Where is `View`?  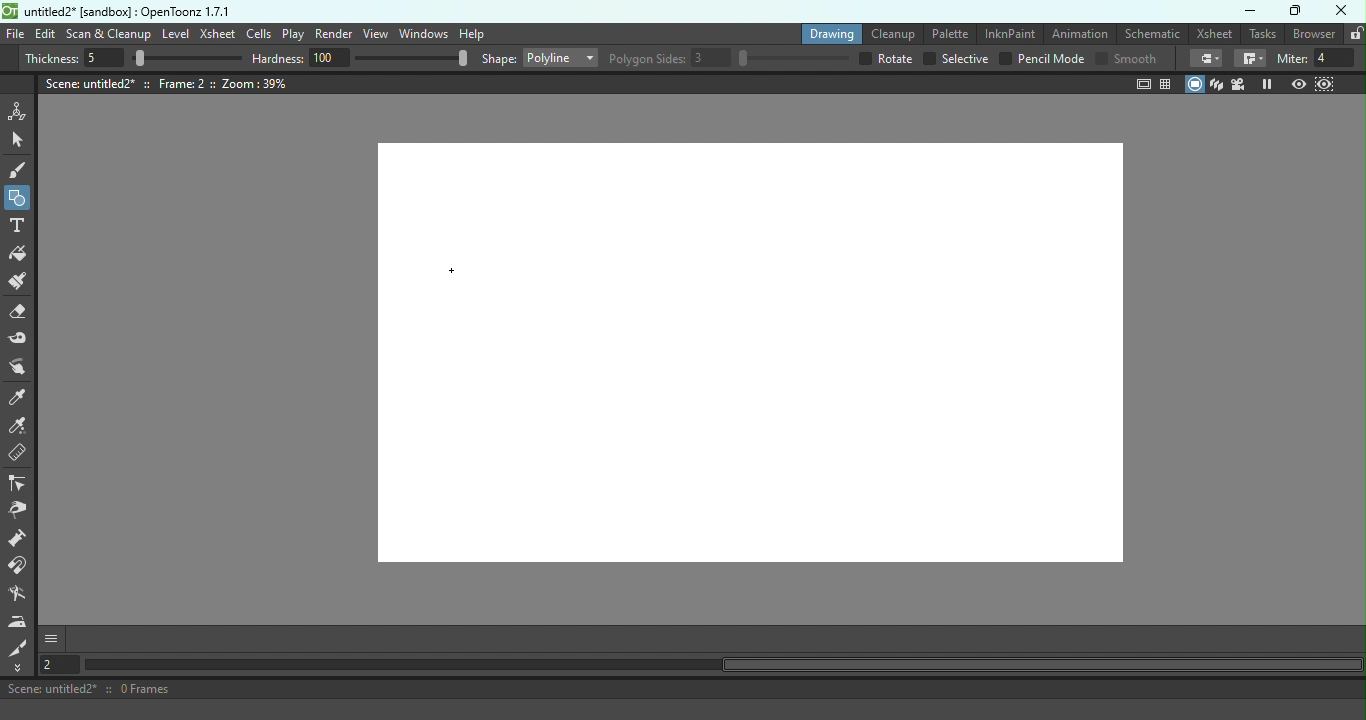
View is located at coordinates (374, 33).